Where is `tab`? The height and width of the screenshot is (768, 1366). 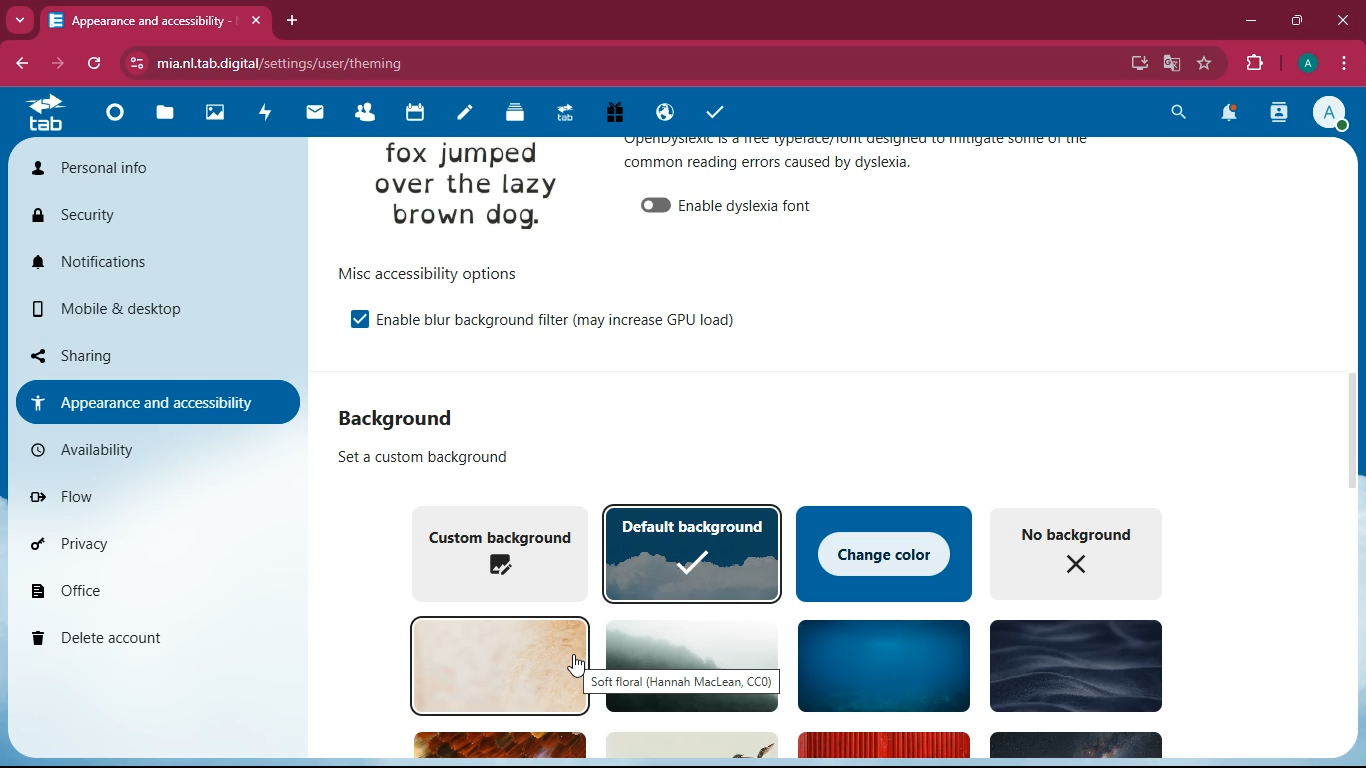 tab is located at coordinates (157, 20).